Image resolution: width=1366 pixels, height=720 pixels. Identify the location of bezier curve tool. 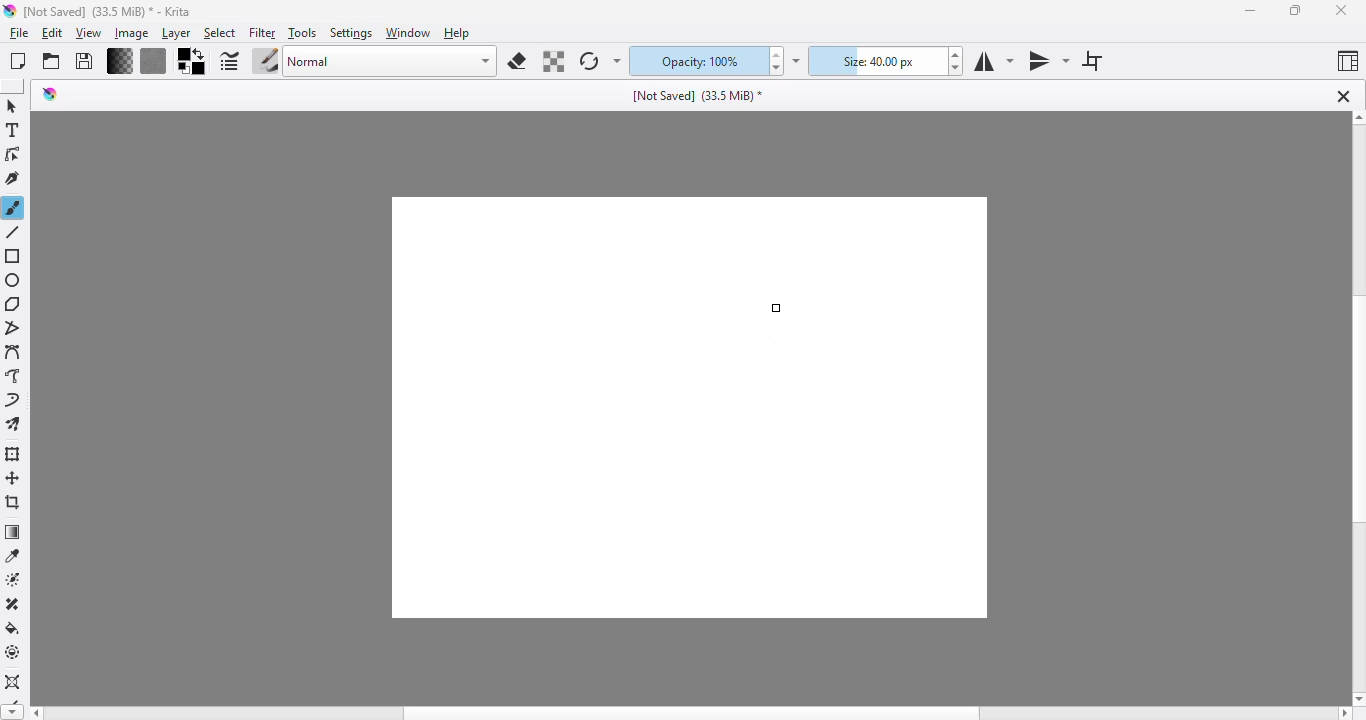
(15, 353).